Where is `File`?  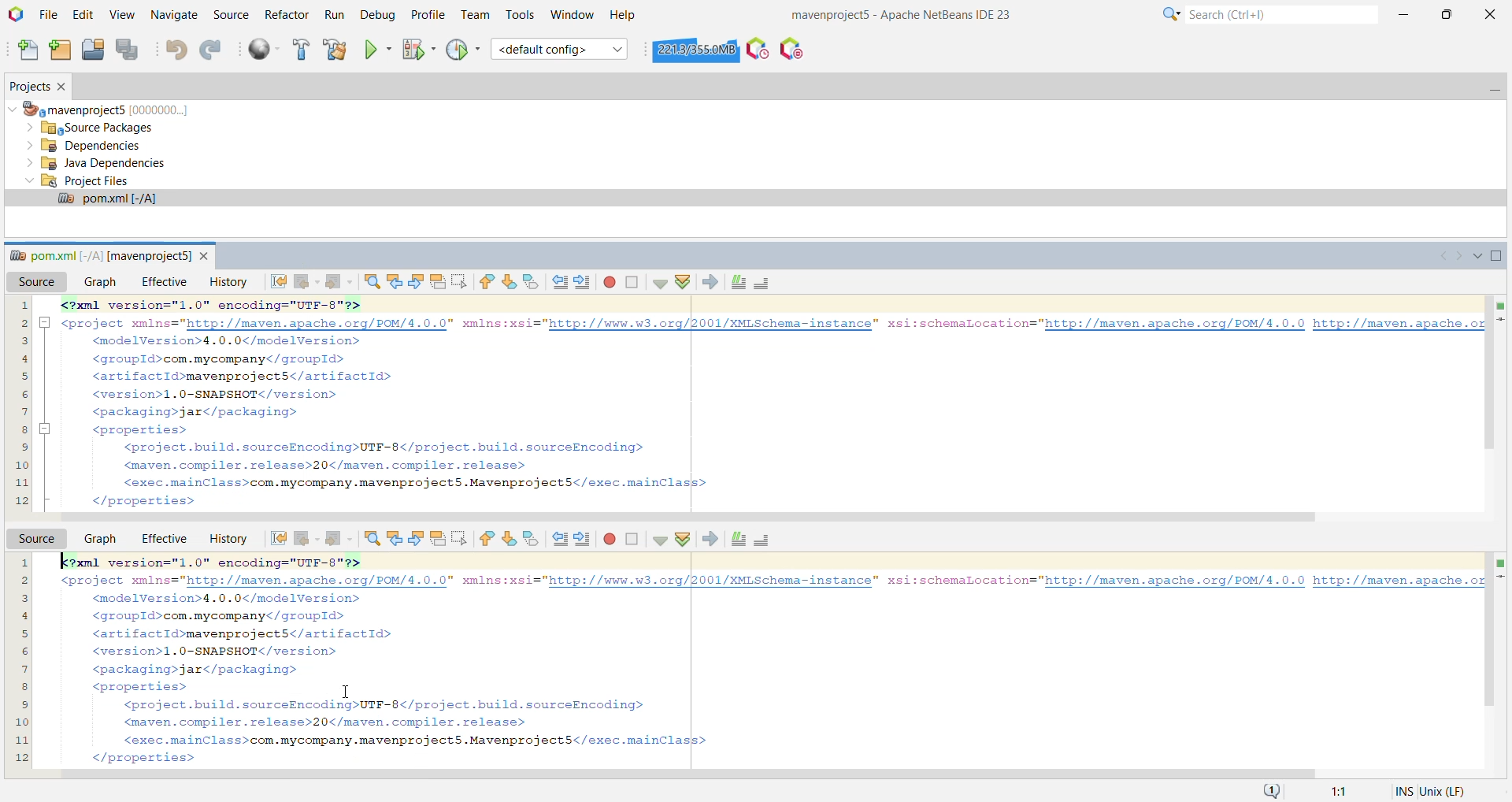
File is located at coordinates (49, 16).